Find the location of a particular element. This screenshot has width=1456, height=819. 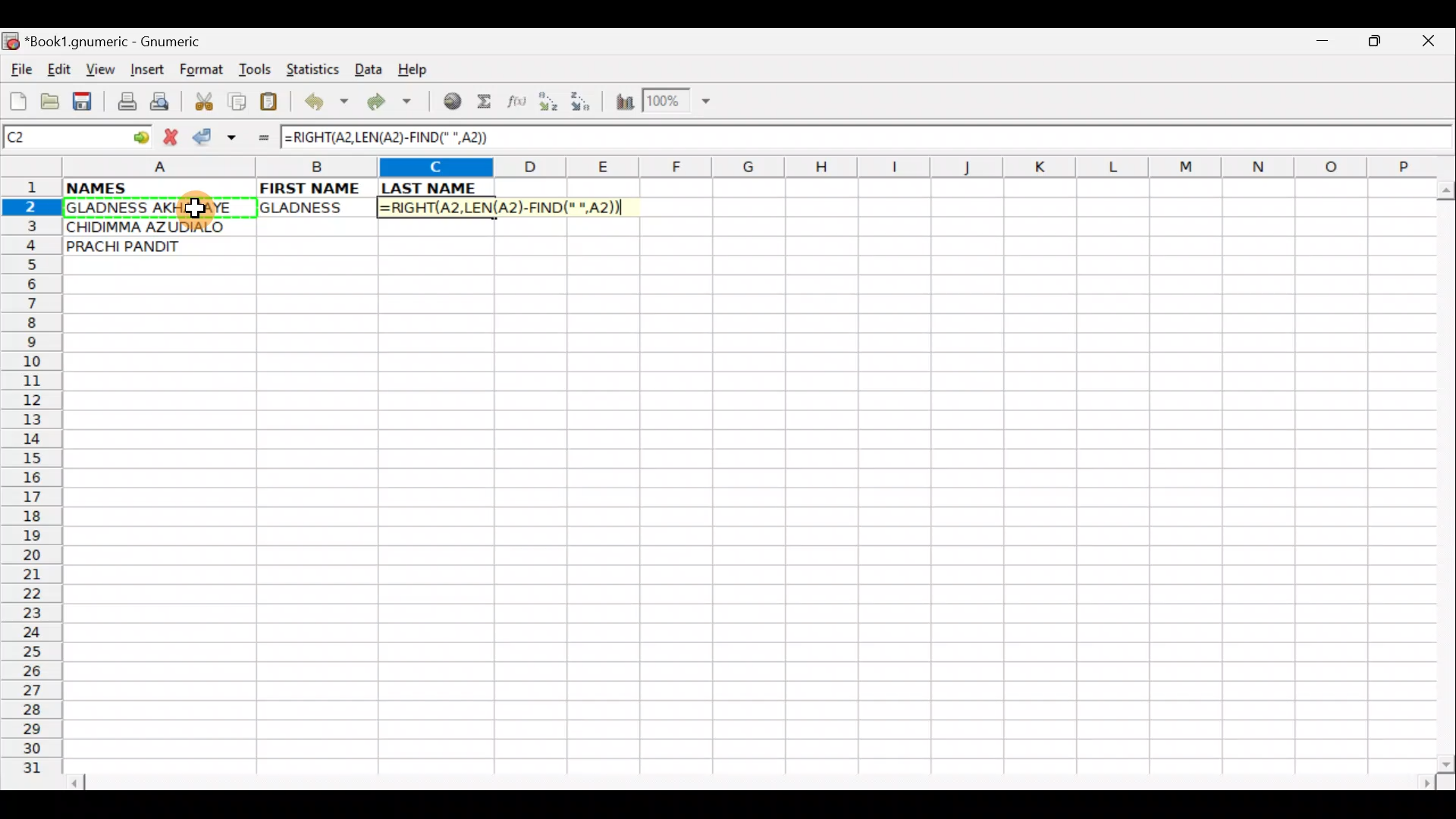

Redo undone action is located at coordinates (393, 104).